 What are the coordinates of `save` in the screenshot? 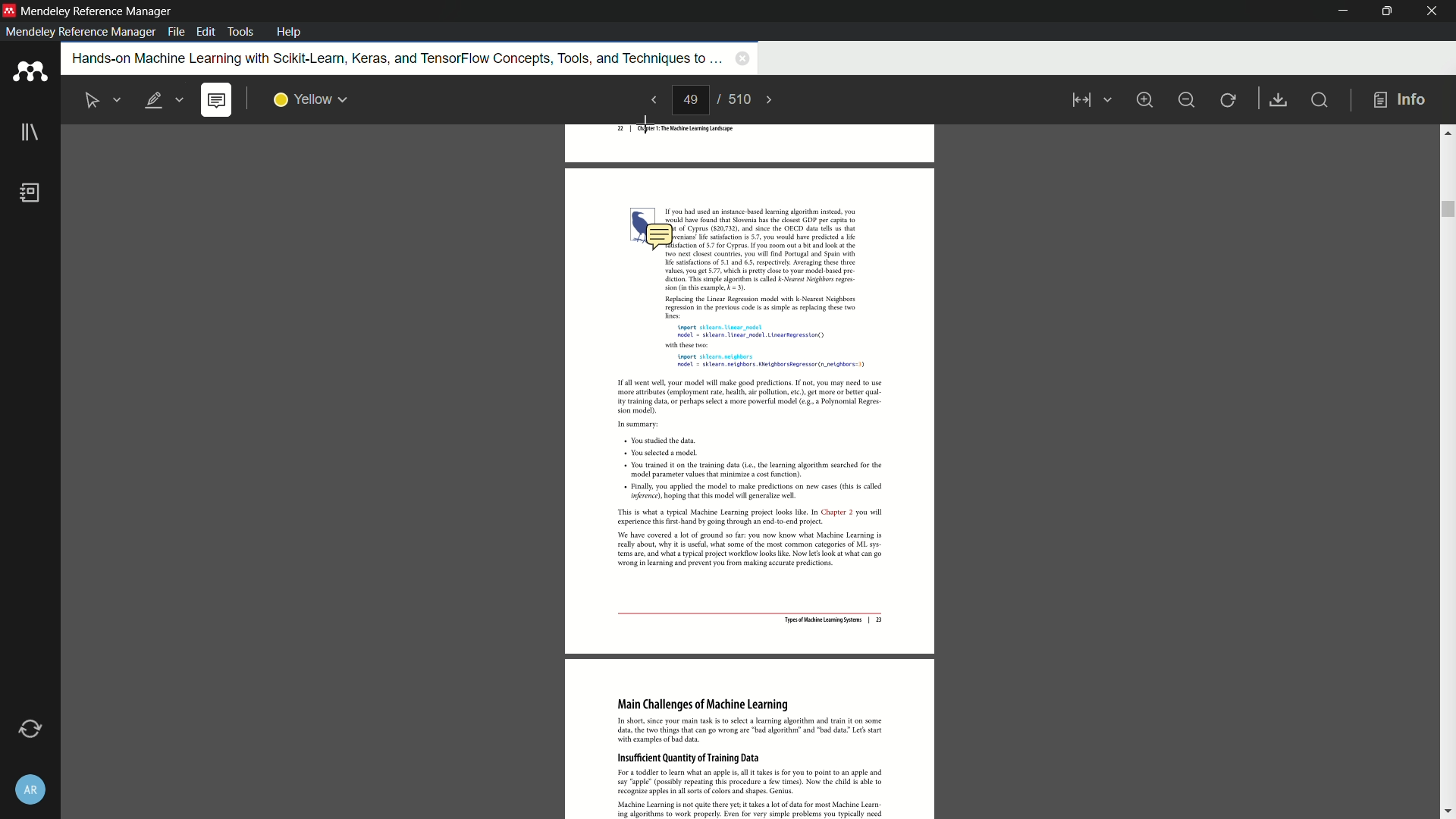 It's located at (1280, 100).